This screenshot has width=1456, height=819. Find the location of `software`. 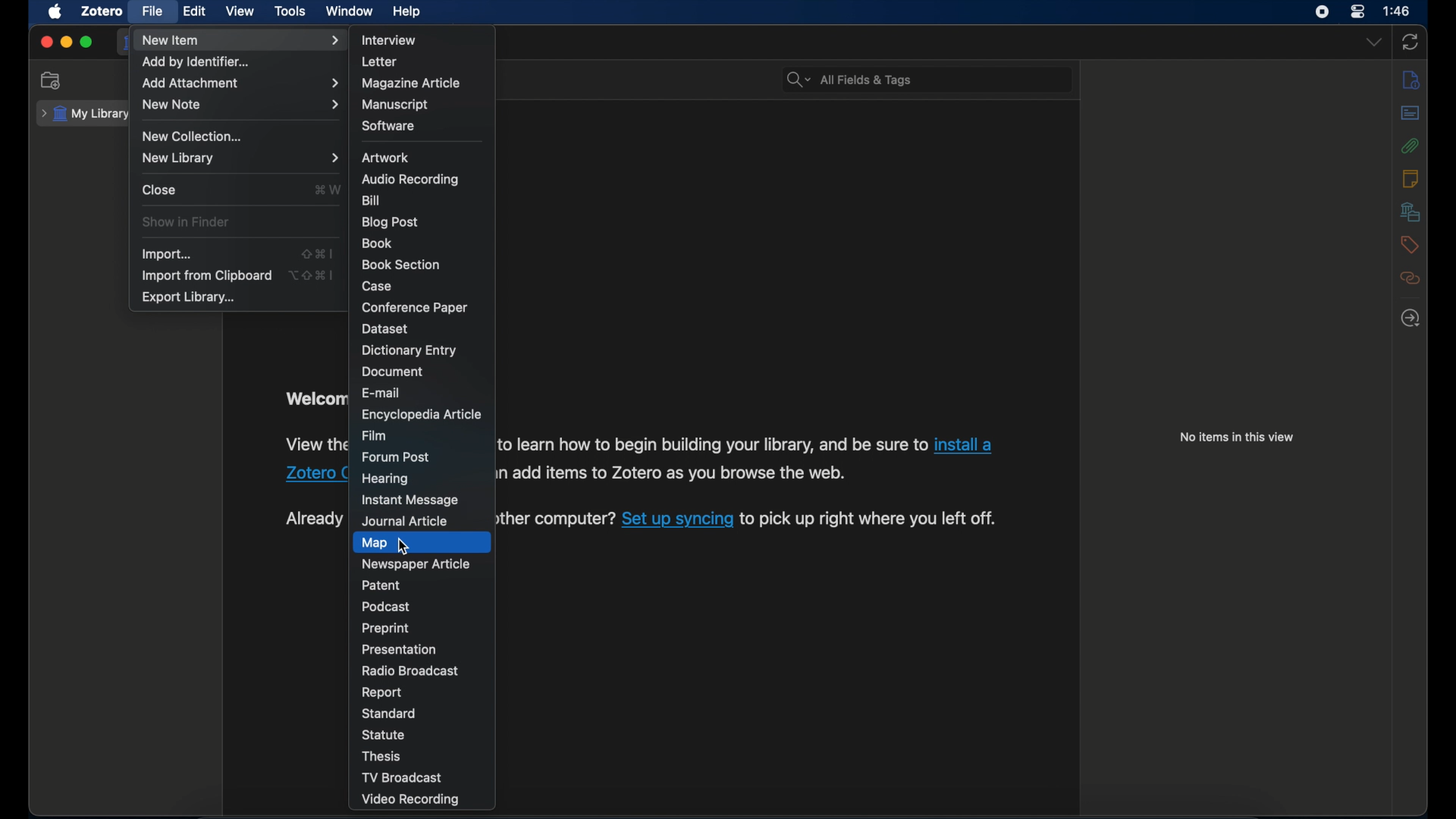

software is located at coordinates (390, 126).